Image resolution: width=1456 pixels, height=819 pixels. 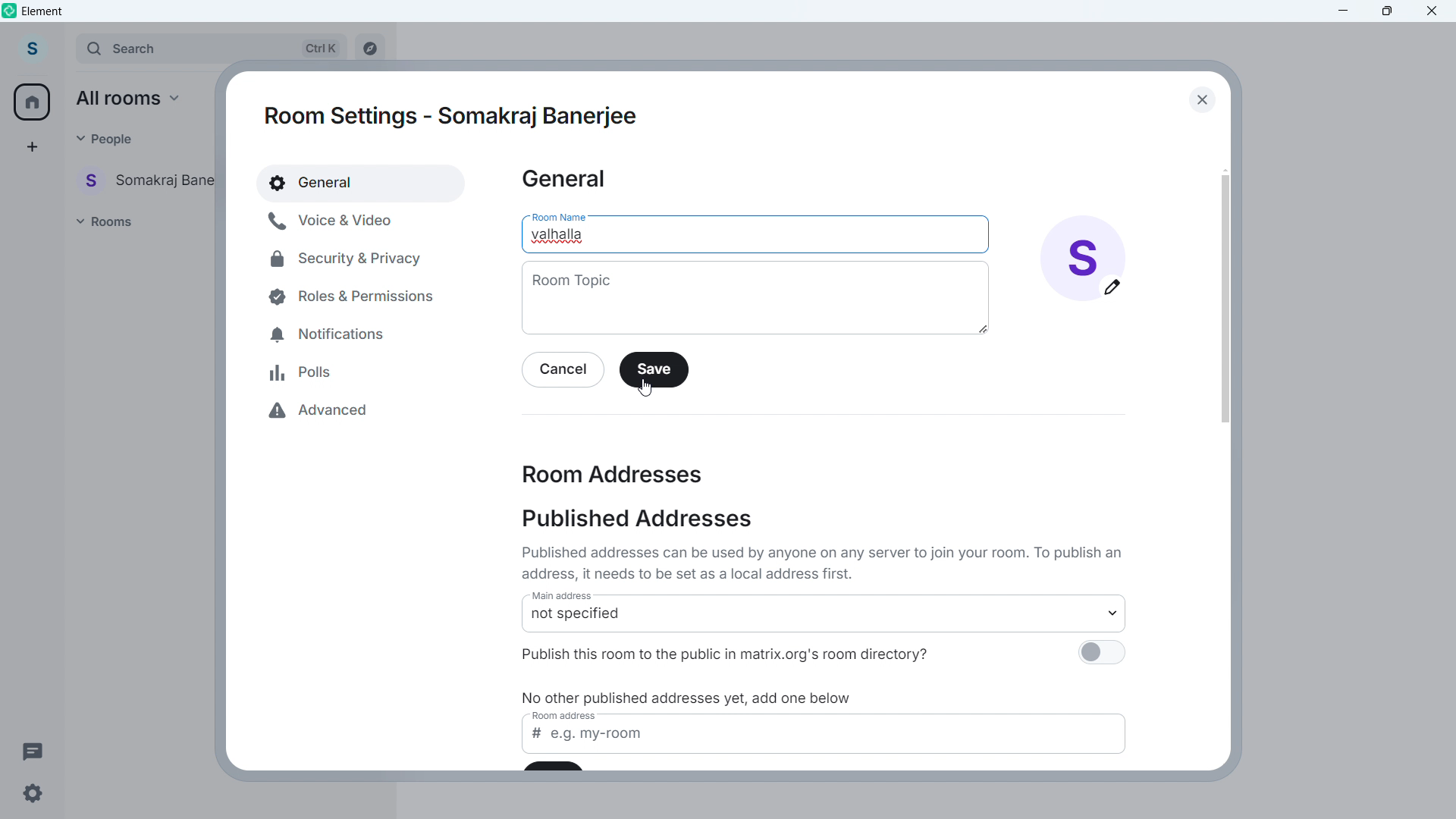 What do you see at coordinates (334, 331) in the screenshot?
I see `Notifications ` at bounding box center [334, 331].